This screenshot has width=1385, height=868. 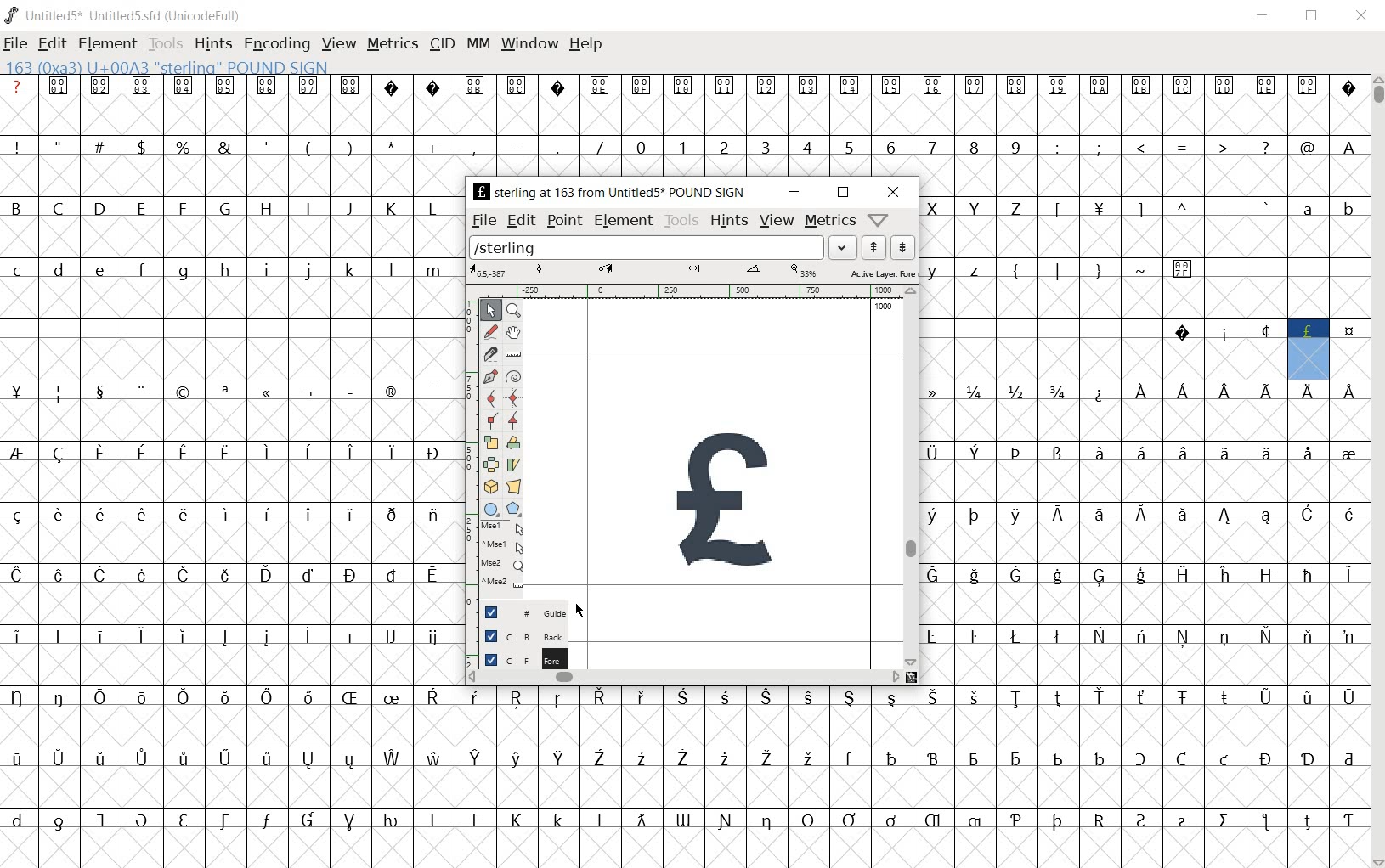 What do you see at coordinates (184, 575) in the screenshot?
I see `Symbol` at bounding box center [184, 575].